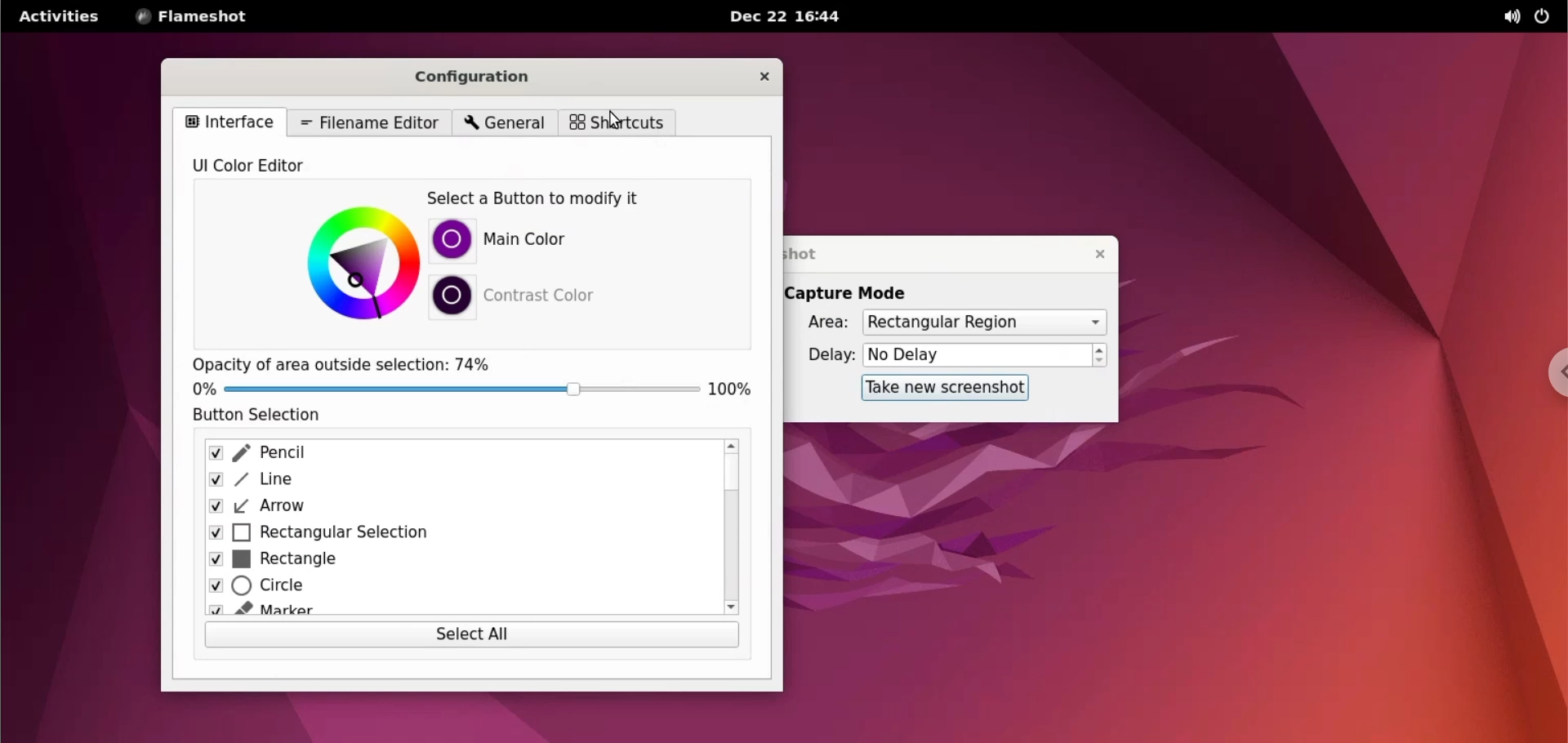 This screenshot has width=1568, height=743. I want to click on button selection, so click(256, 418).